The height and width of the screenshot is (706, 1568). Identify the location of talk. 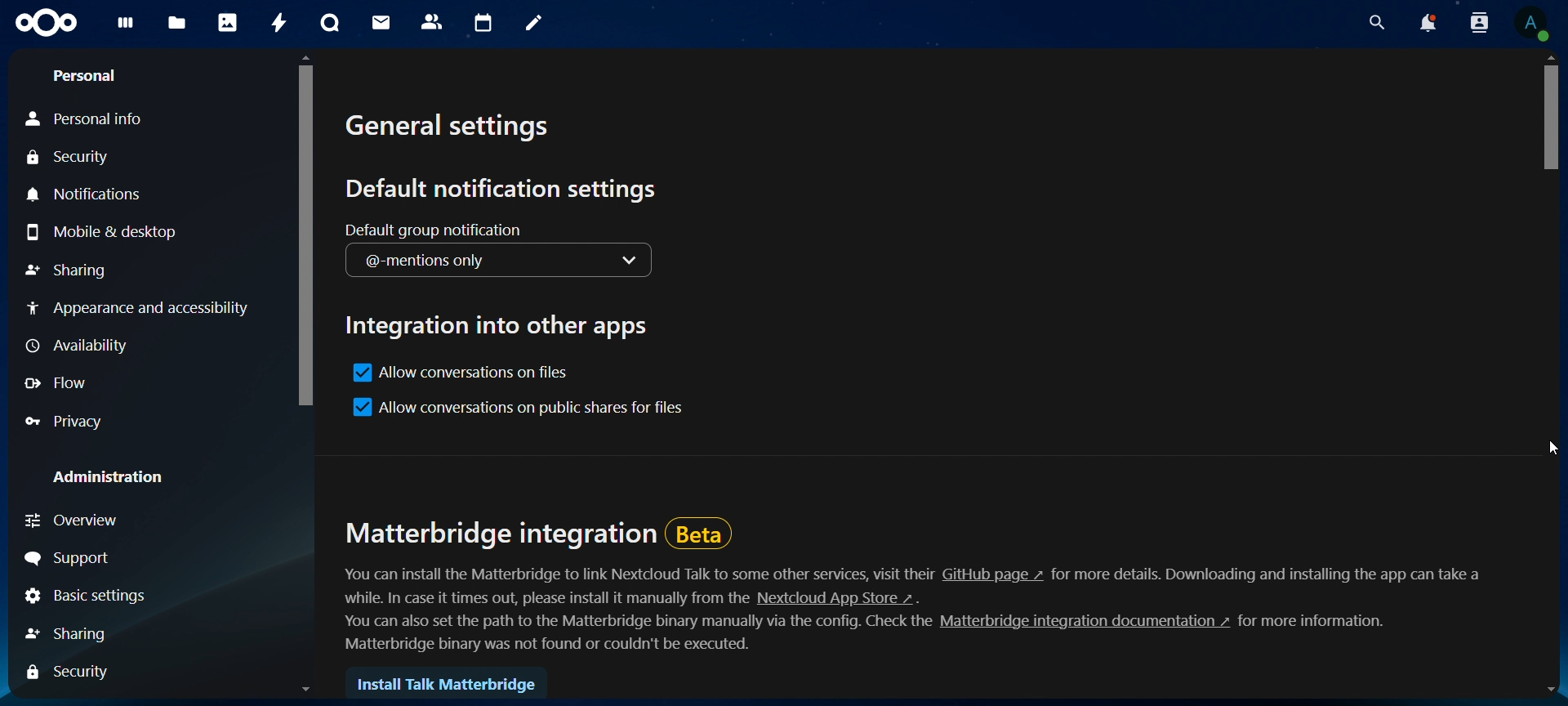
(328, 23).